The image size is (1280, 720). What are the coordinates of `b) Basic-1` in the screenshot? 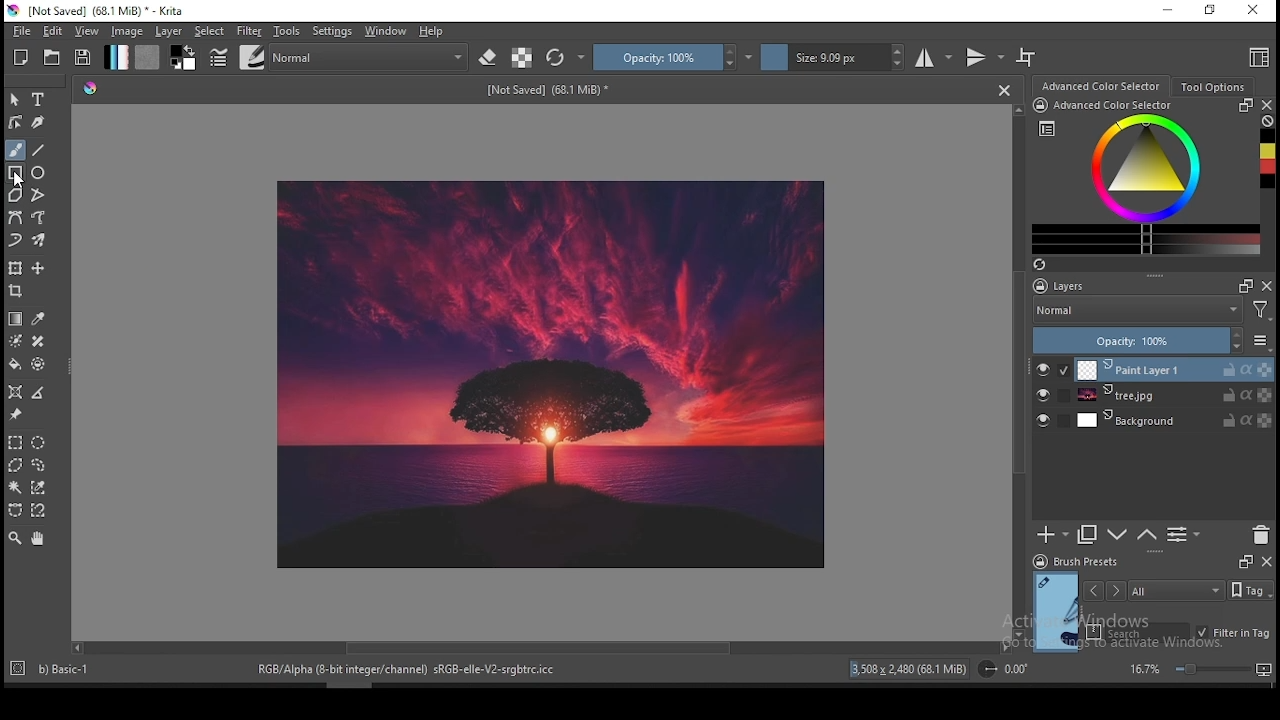 It's located at (55, 666).